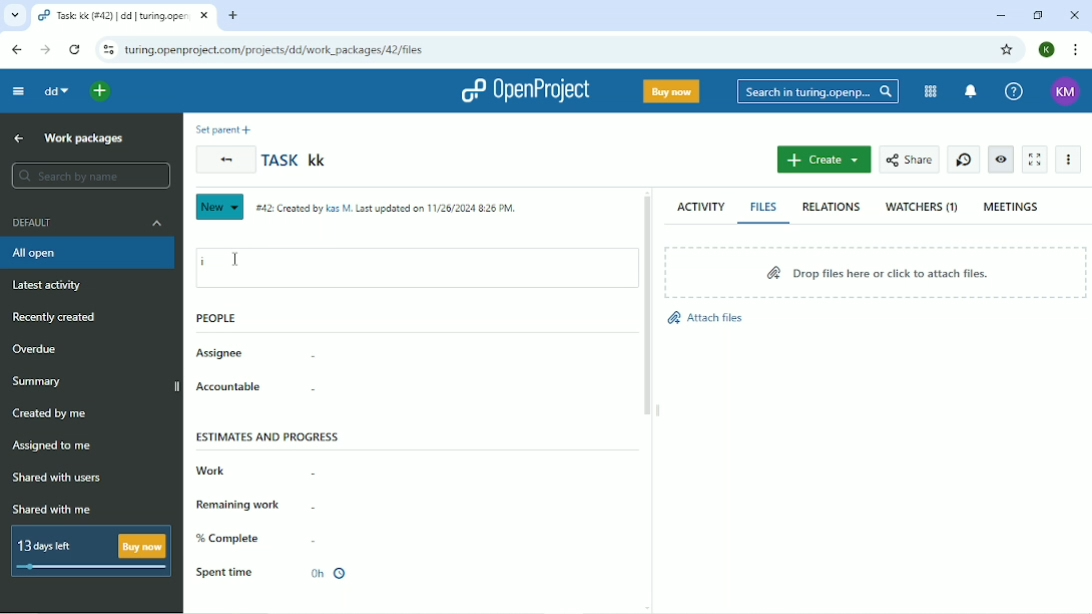 The image size is (1092, 614). I want to click on Close, so click(1076, 15).